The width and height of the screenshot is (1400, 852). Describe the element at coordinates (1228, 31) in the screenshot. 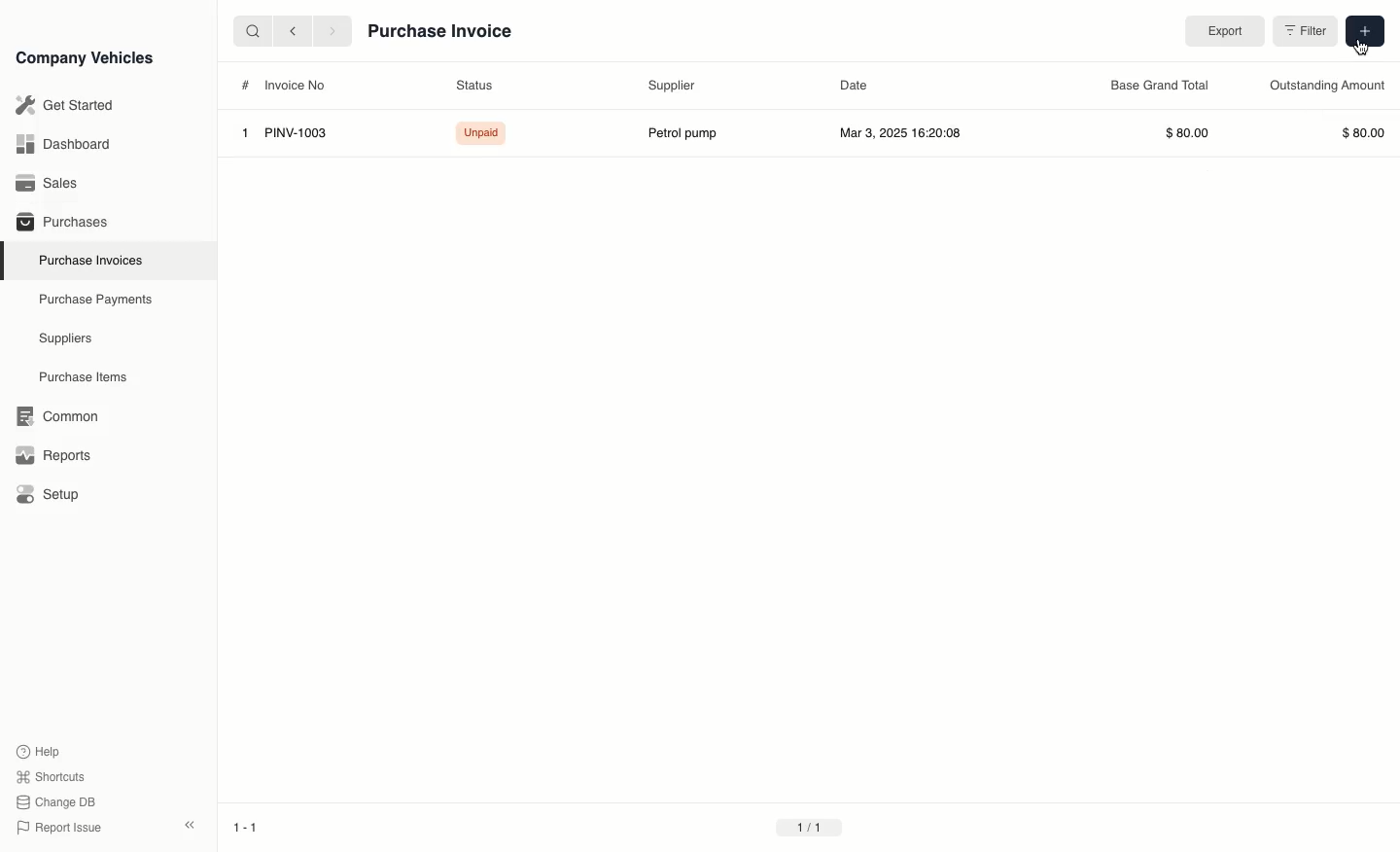

I see `export` at that location.